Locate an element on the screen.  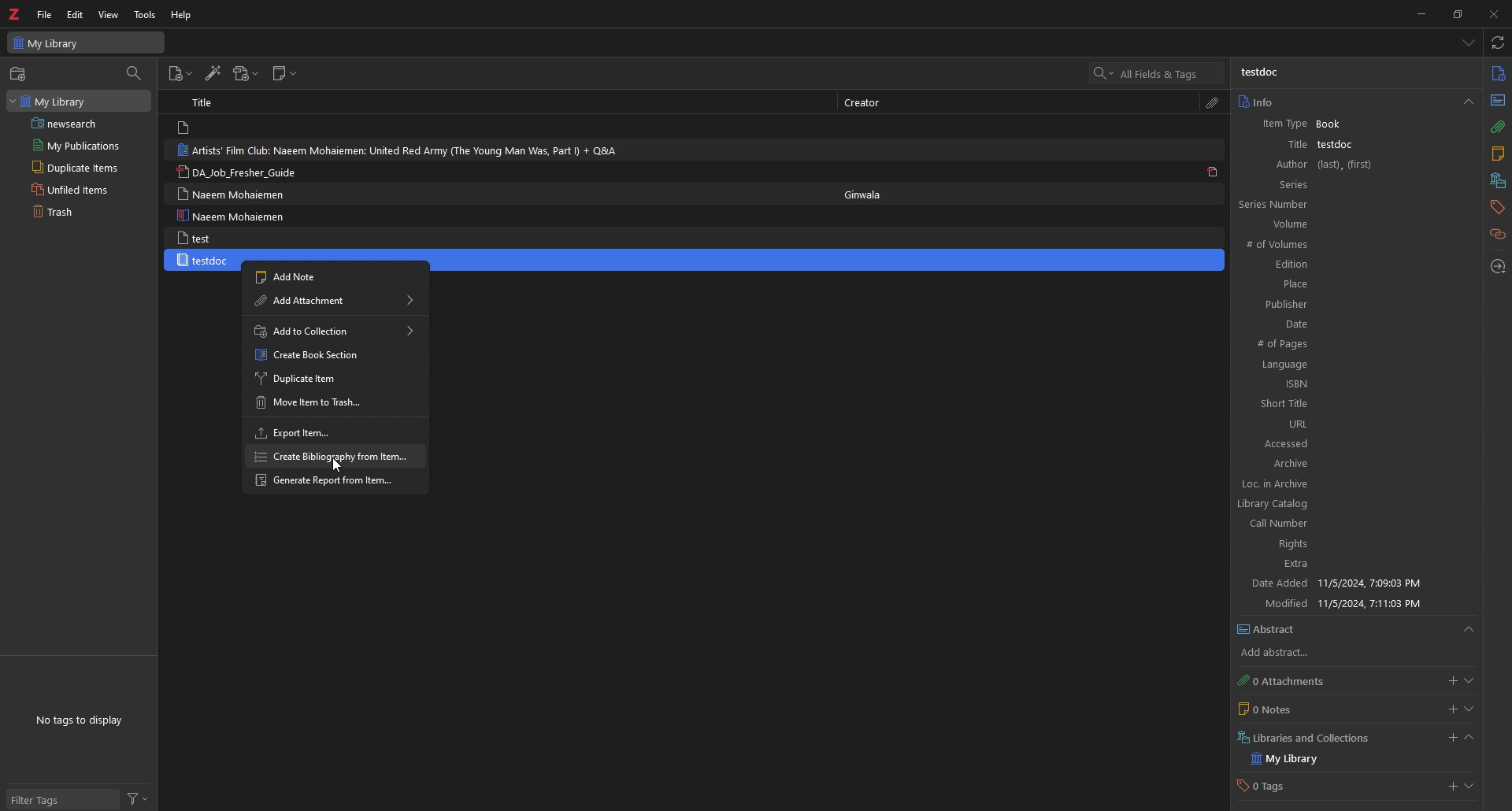
Title is located at coordinates (1283, 144).